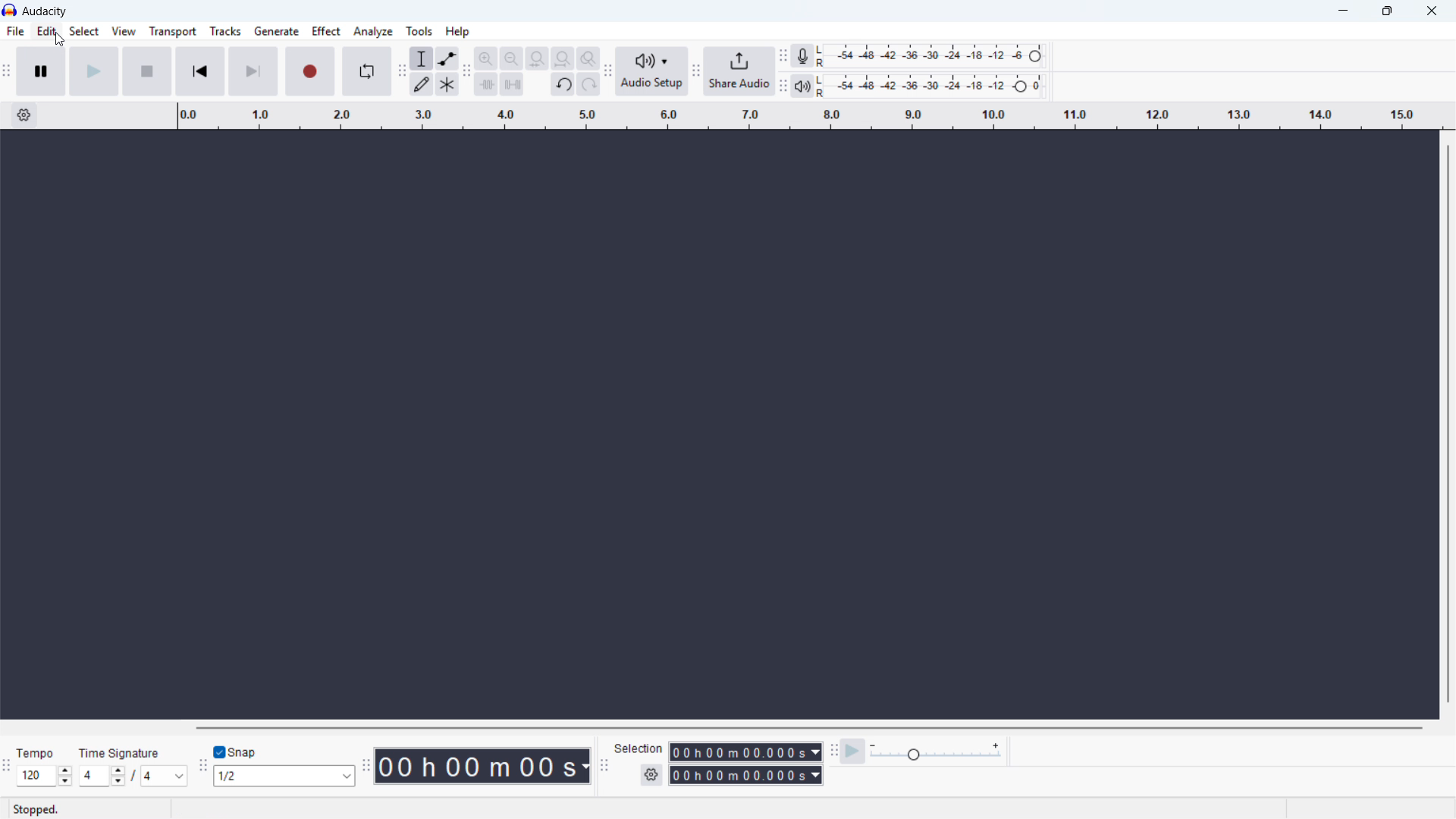 The height and width of the screenshot is (819, 1456). Describe the element at coordinates (511, 58) in the screenshot. I see `zoom out` at that location.